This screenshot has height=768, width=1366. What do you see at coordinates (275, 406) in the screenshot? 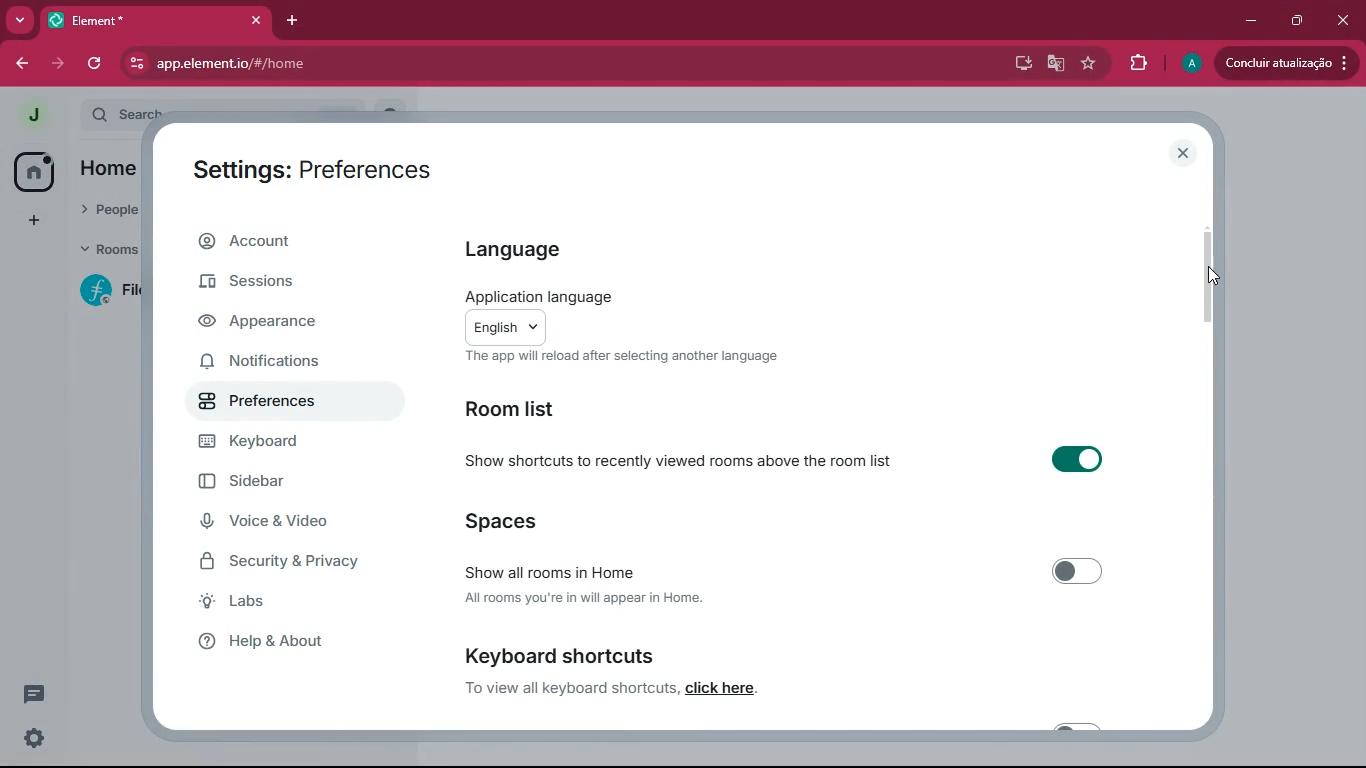
I see `preferences` at bounding box center [275, 406].